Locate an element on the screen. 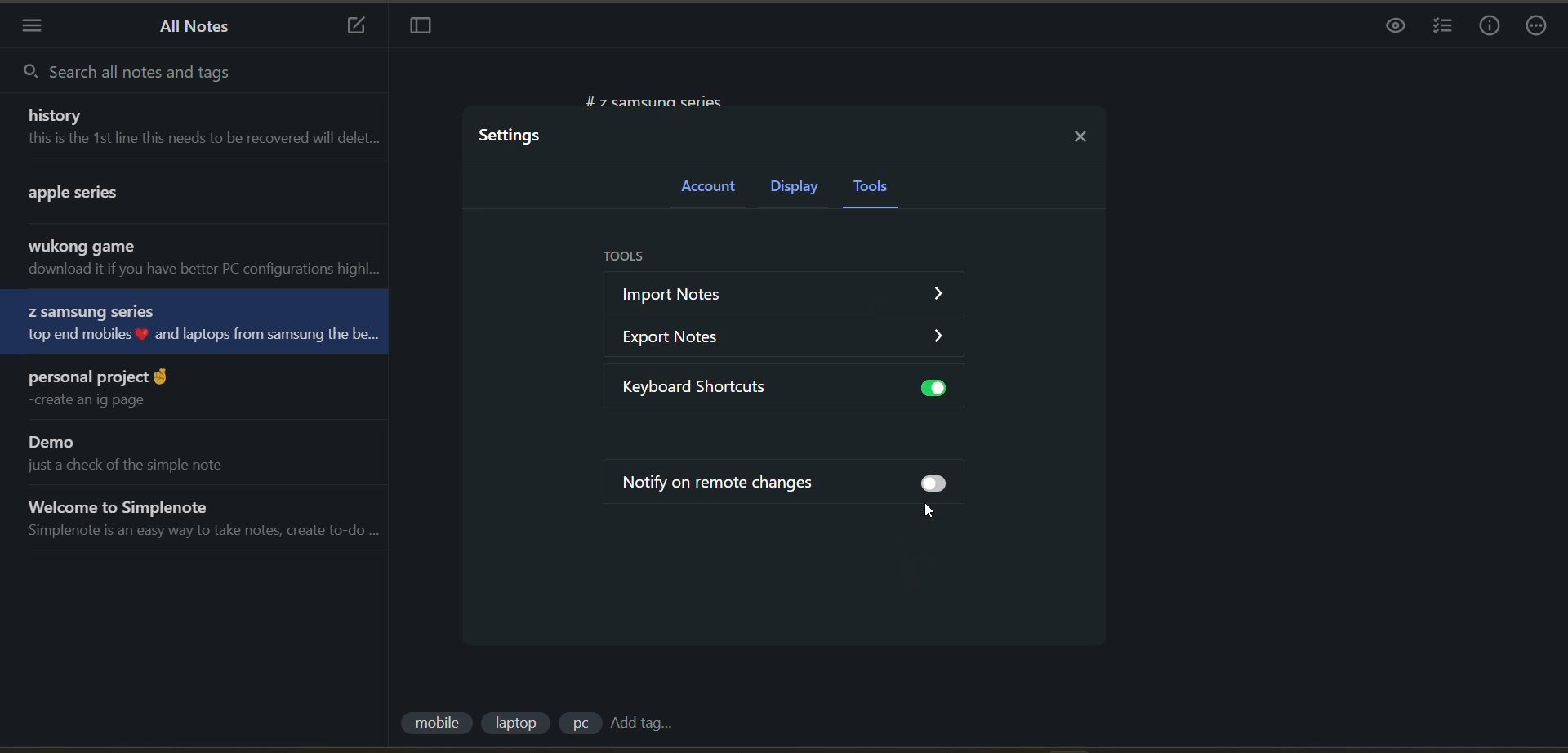  keyboard shortcuts is located at coordinates (699, 390).